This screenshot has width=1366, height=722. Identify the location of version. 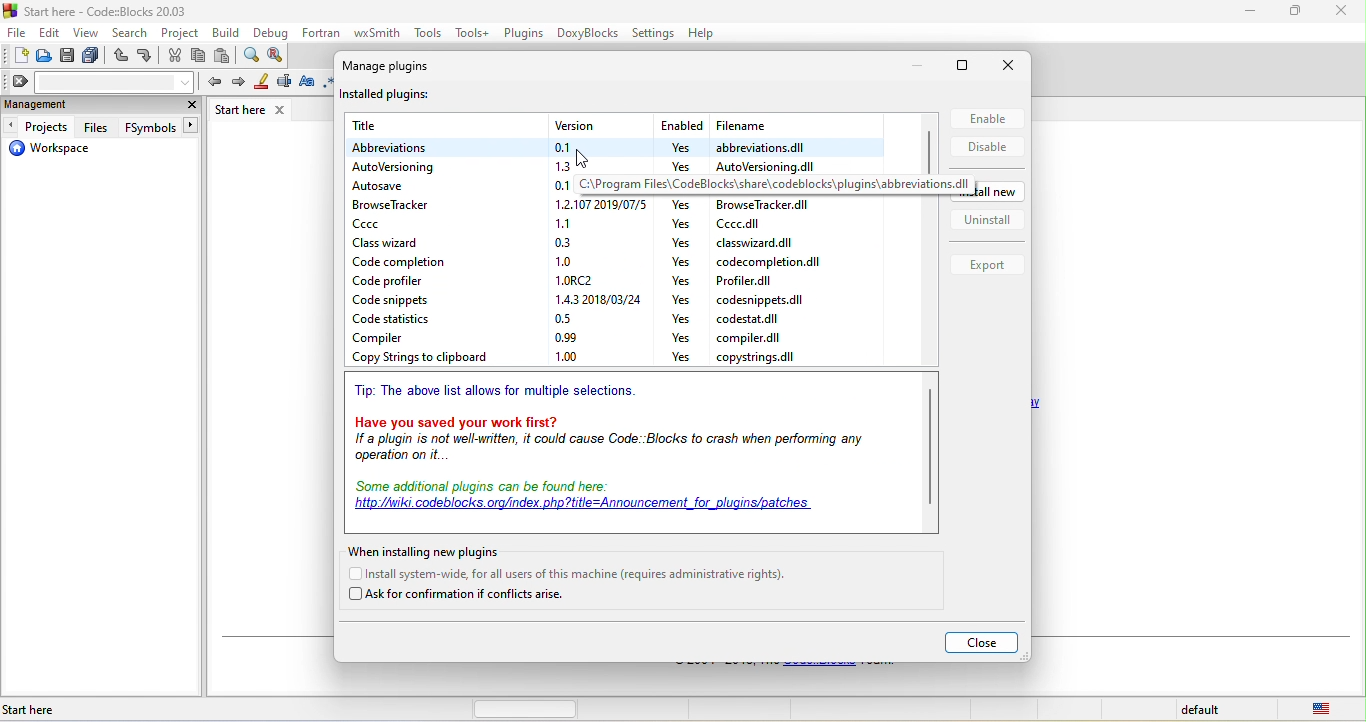
(563, 222).